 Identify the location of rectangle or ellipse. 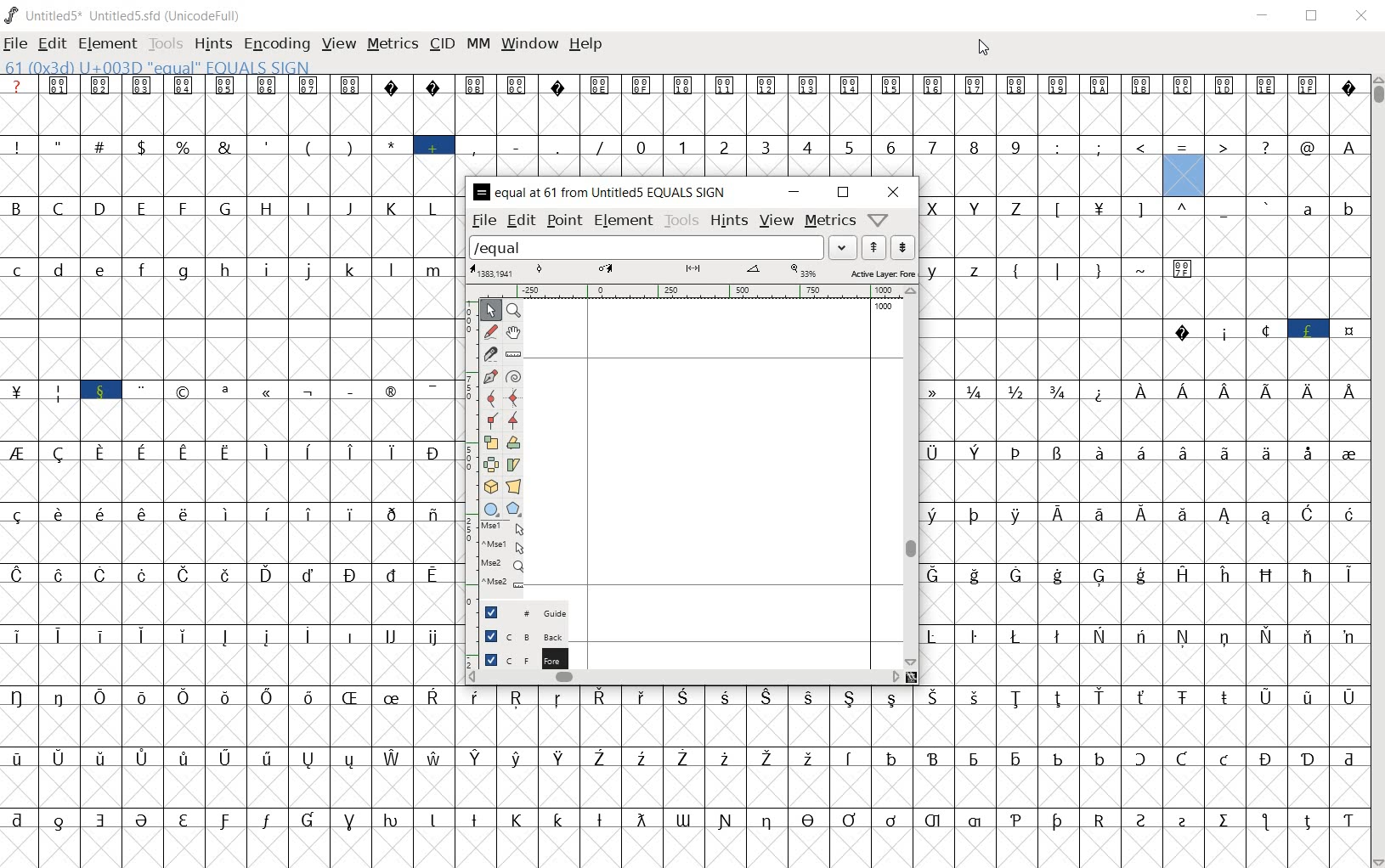
(492, 509).